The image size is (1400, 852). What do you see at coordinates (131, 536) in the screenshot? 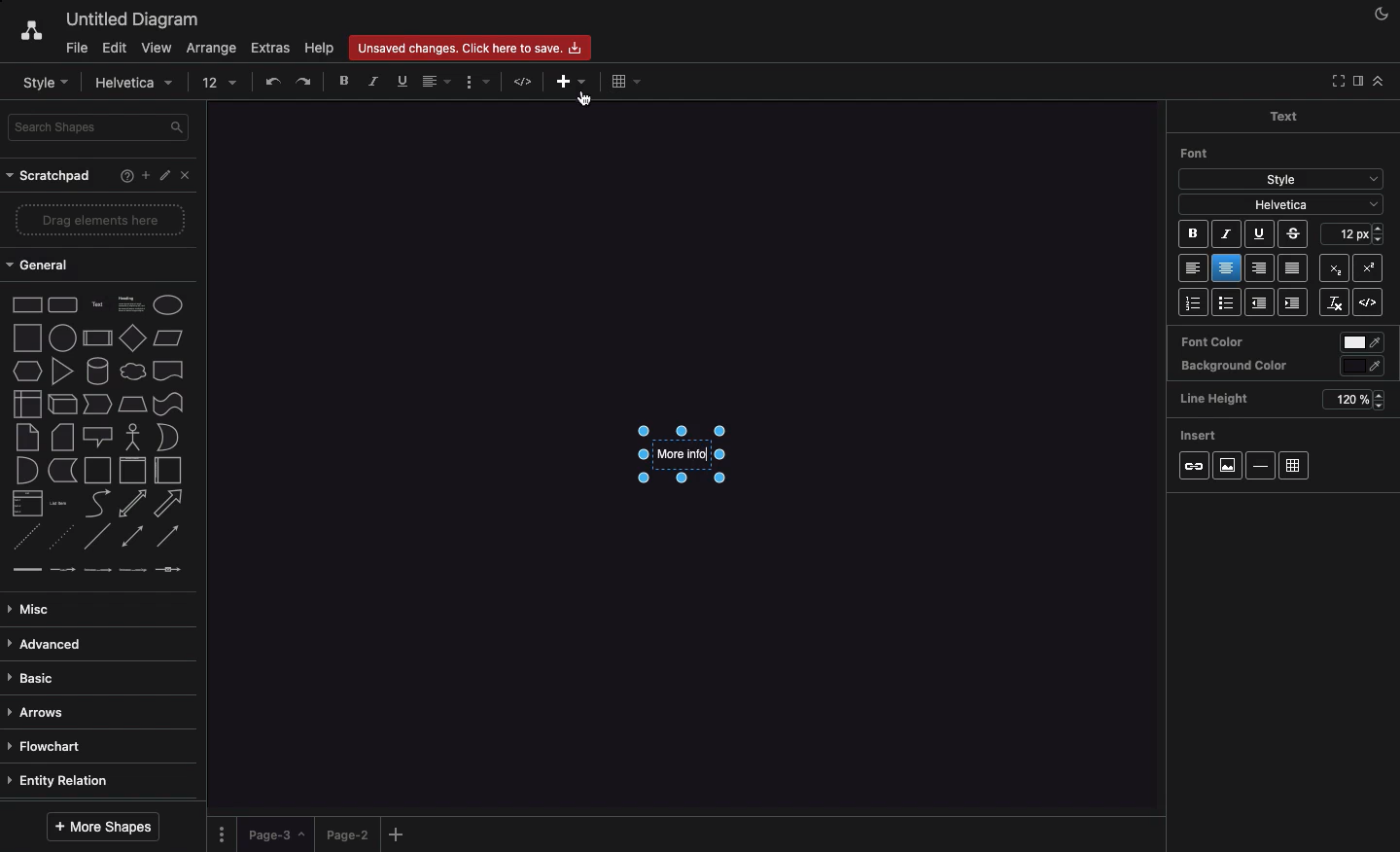
I see `bidirectional connector ` at bounding box center [131, 536].